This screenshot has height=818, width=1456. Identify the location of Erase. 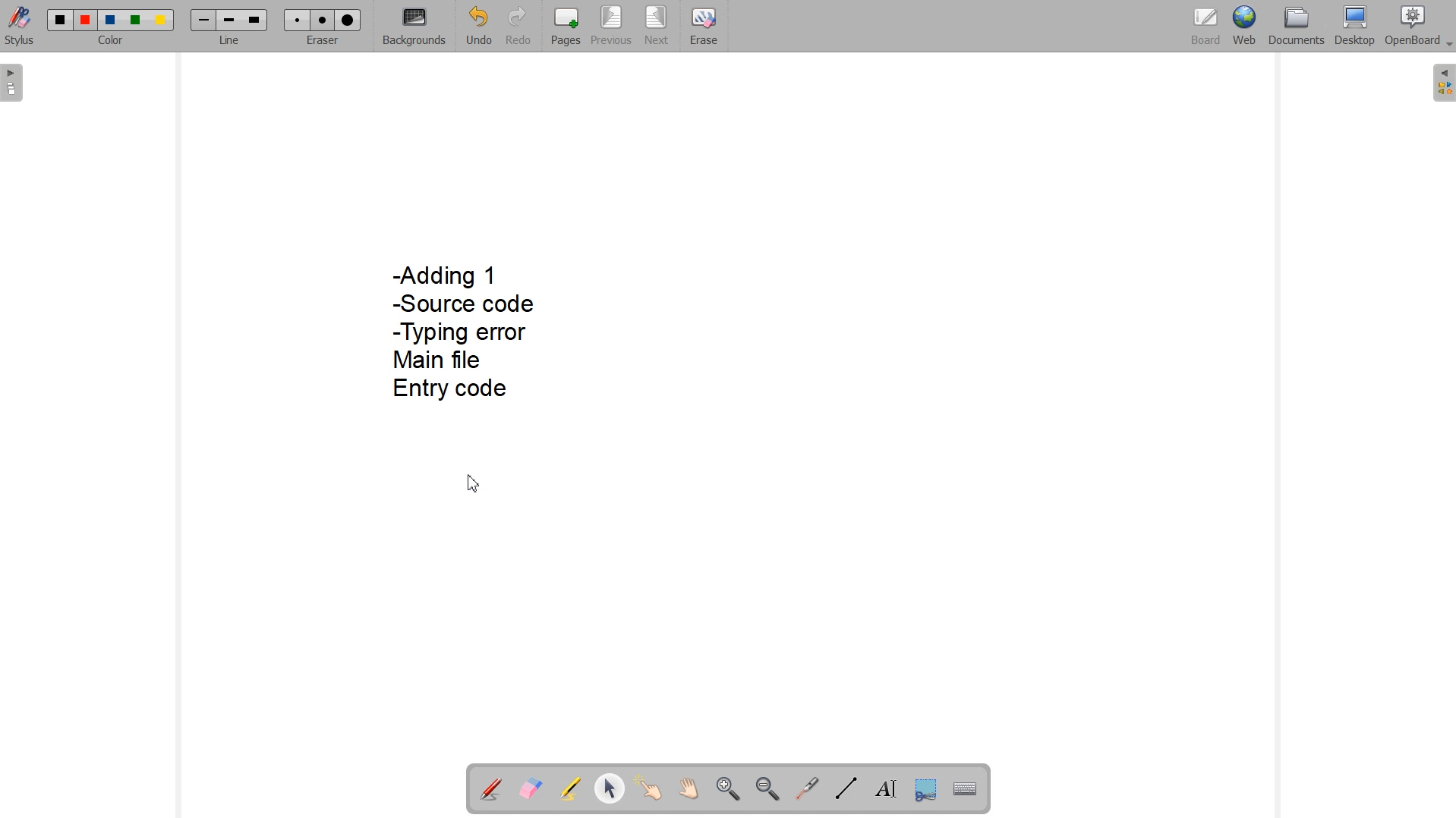
(704, 24).